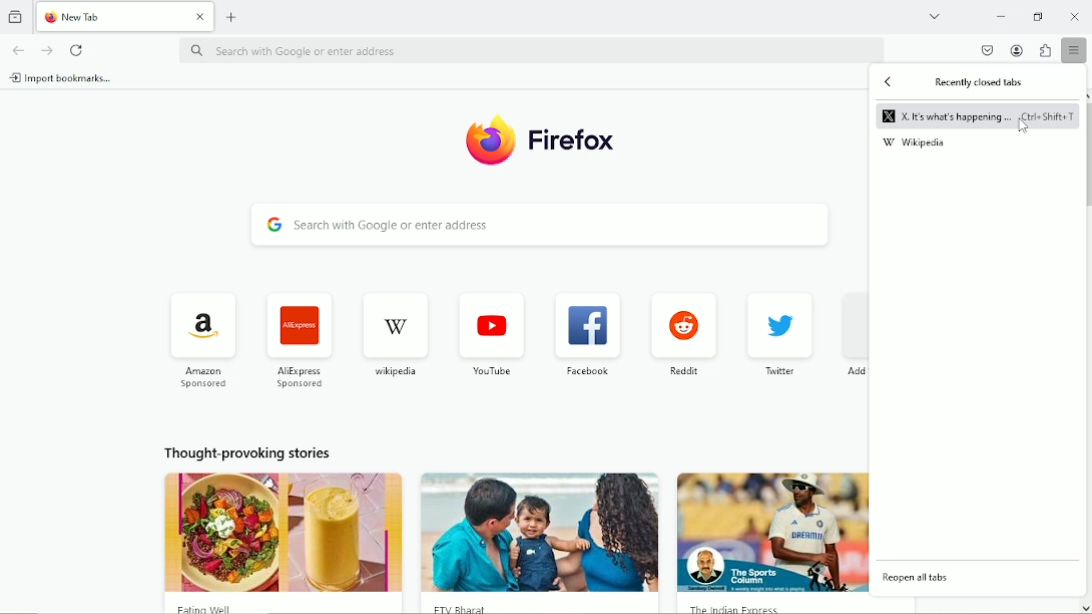 The image size is (1092, 614). Describe the element at coordinates (683, 373) in the screenshot. I see `reddit` at that location.